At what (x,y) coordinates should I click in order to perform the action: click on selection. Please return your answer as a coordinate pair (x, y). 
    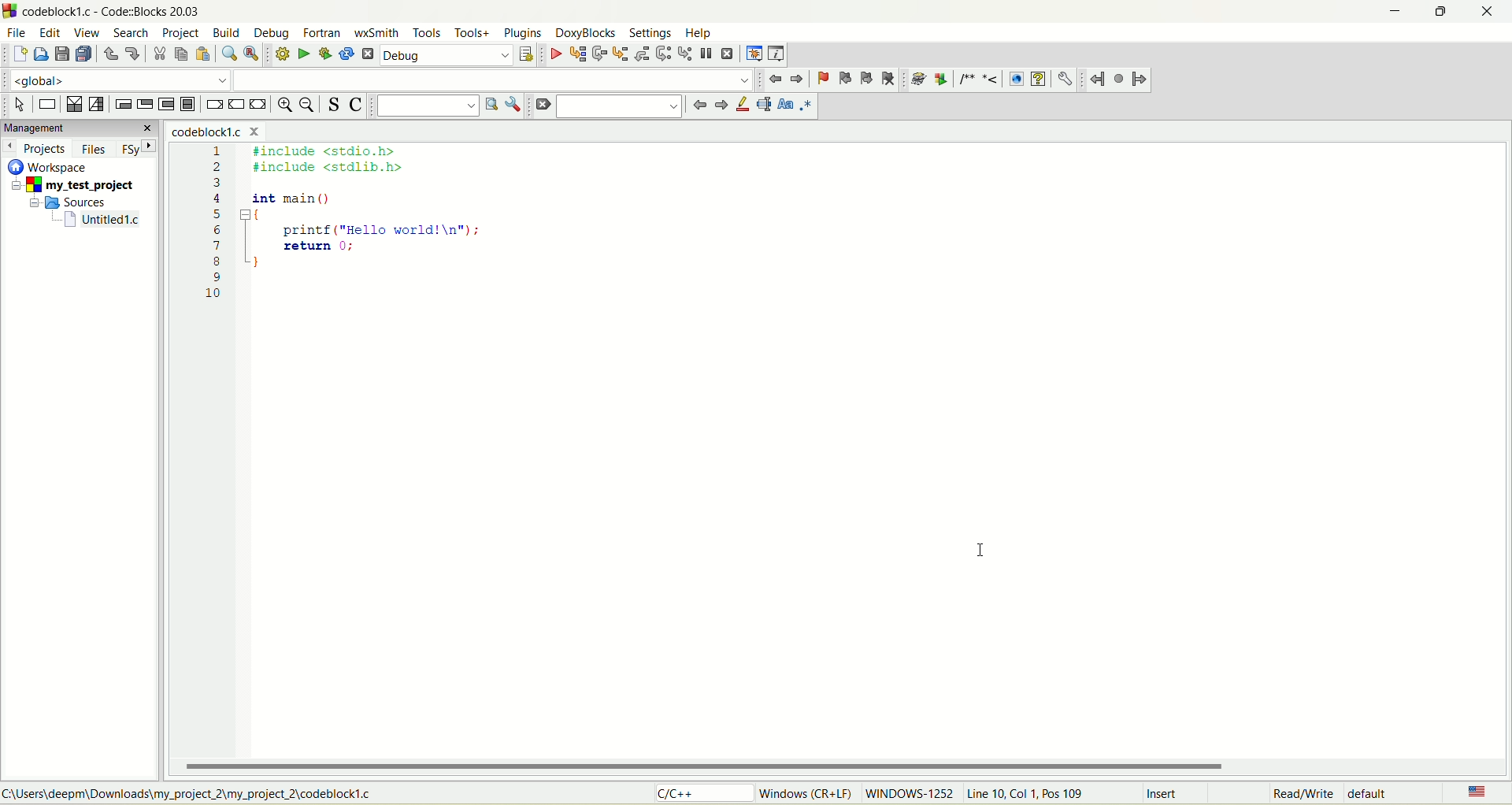
    Looking at the image, I should click on (97, 106).